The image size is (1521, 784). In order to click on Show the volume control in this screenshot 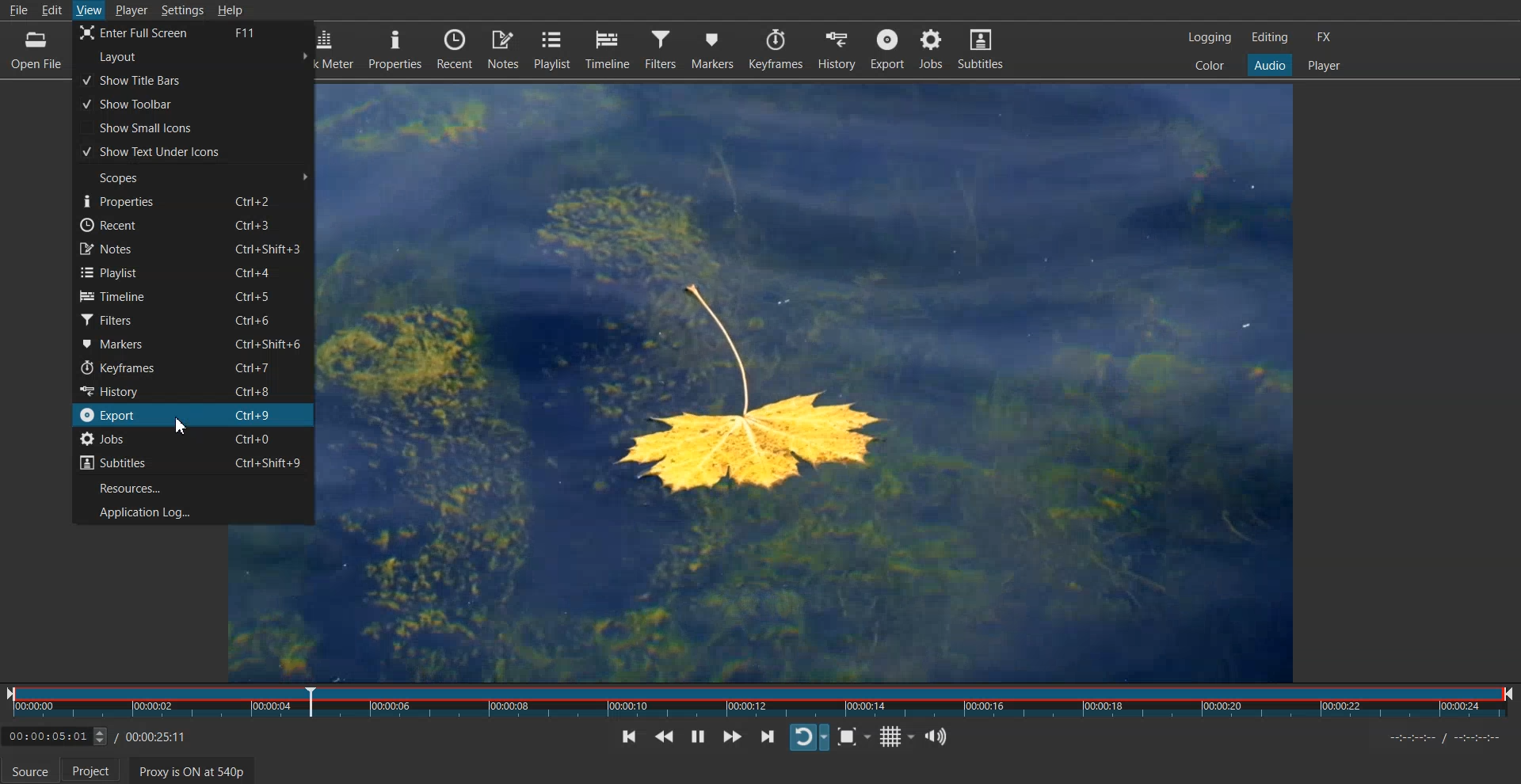, I will do `click(935, 736)`.